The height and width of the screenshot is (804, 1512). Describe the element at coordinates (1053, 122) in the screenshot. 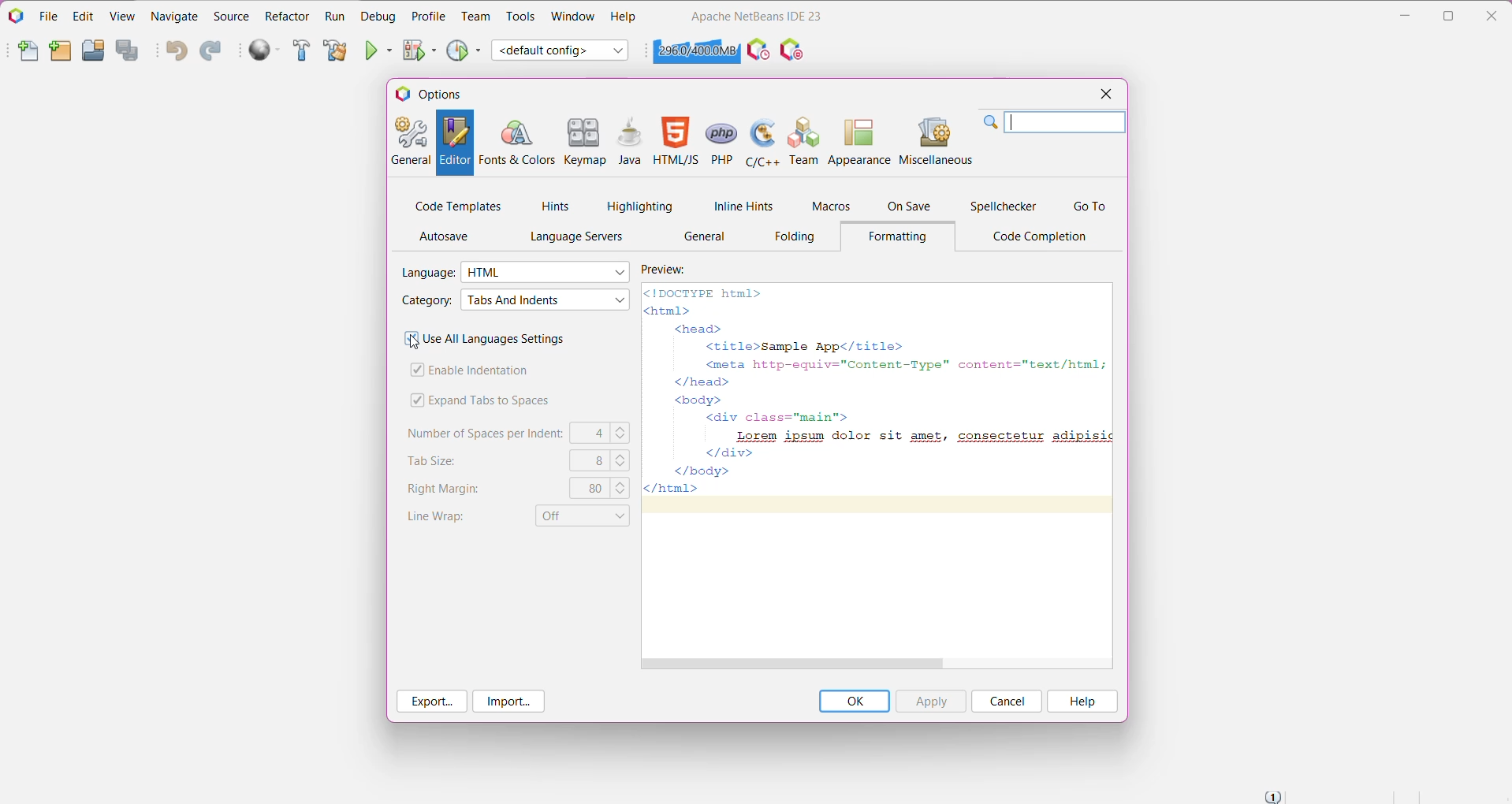

I see `Search Bar` at that location.